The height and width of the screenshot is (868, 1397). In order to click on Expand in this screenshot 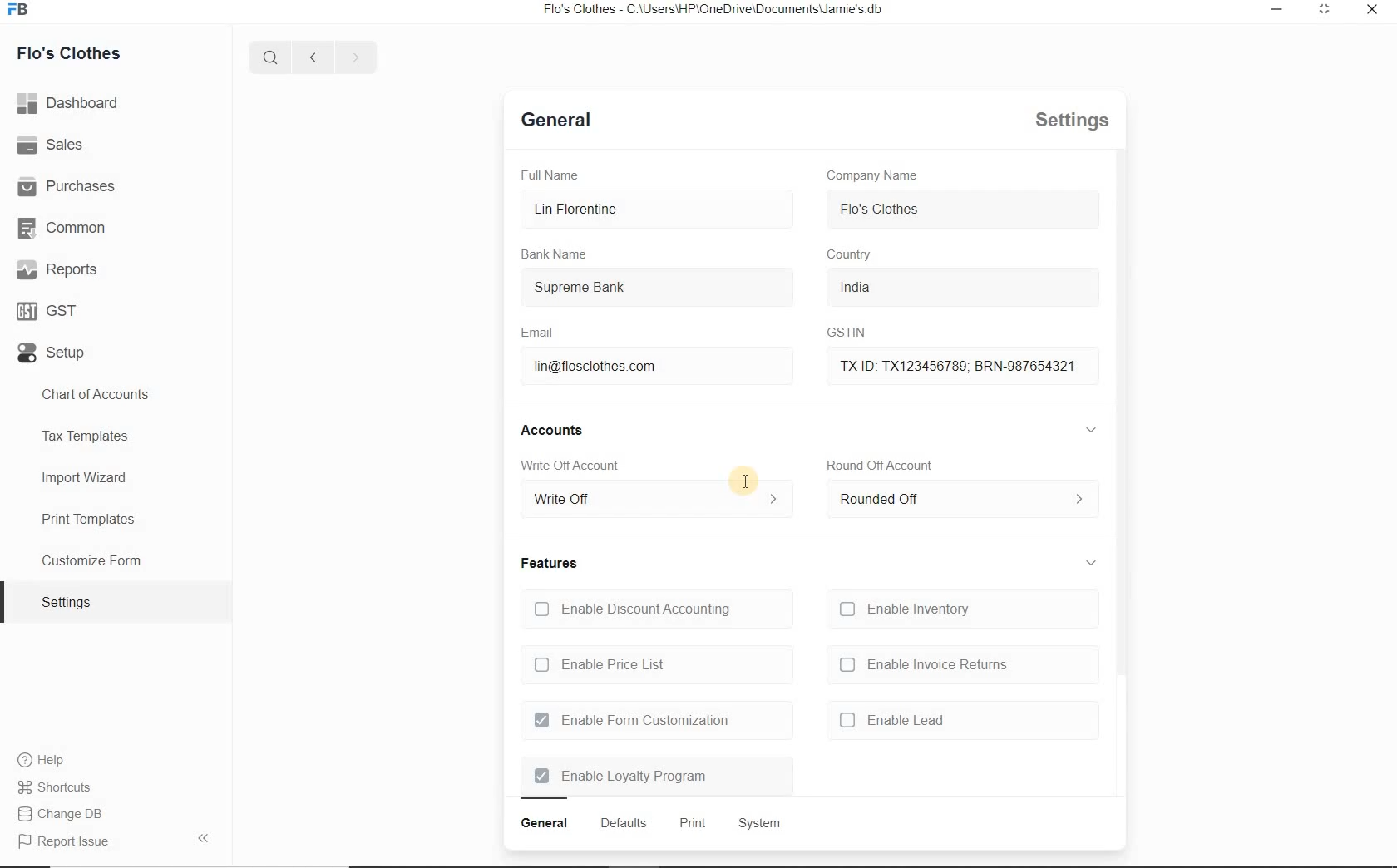, I will do `click(1093, 428)`.